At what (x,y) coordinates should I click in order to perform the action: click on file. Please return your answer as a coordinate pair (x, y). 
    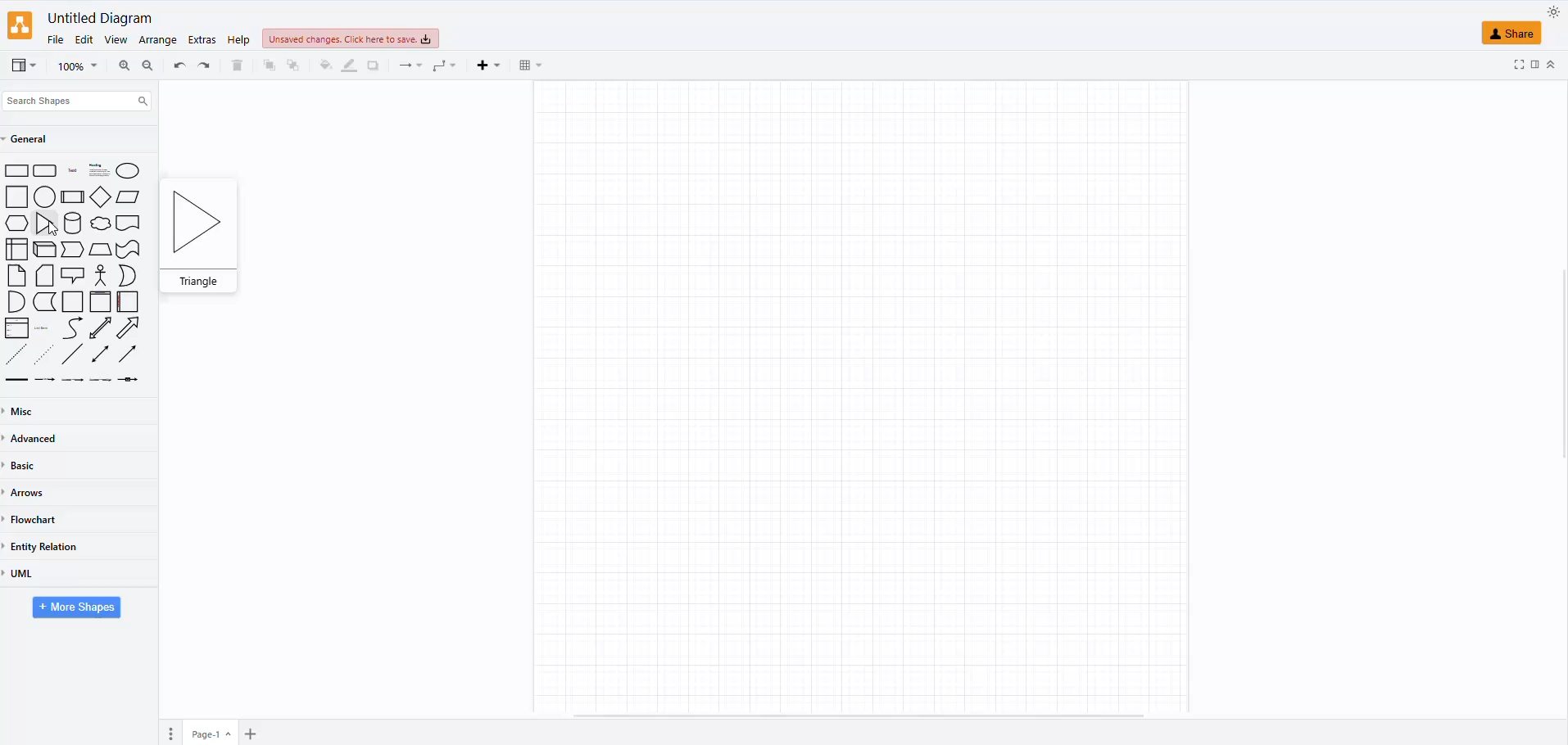
    Looking at the image, I should click on (54, 38).